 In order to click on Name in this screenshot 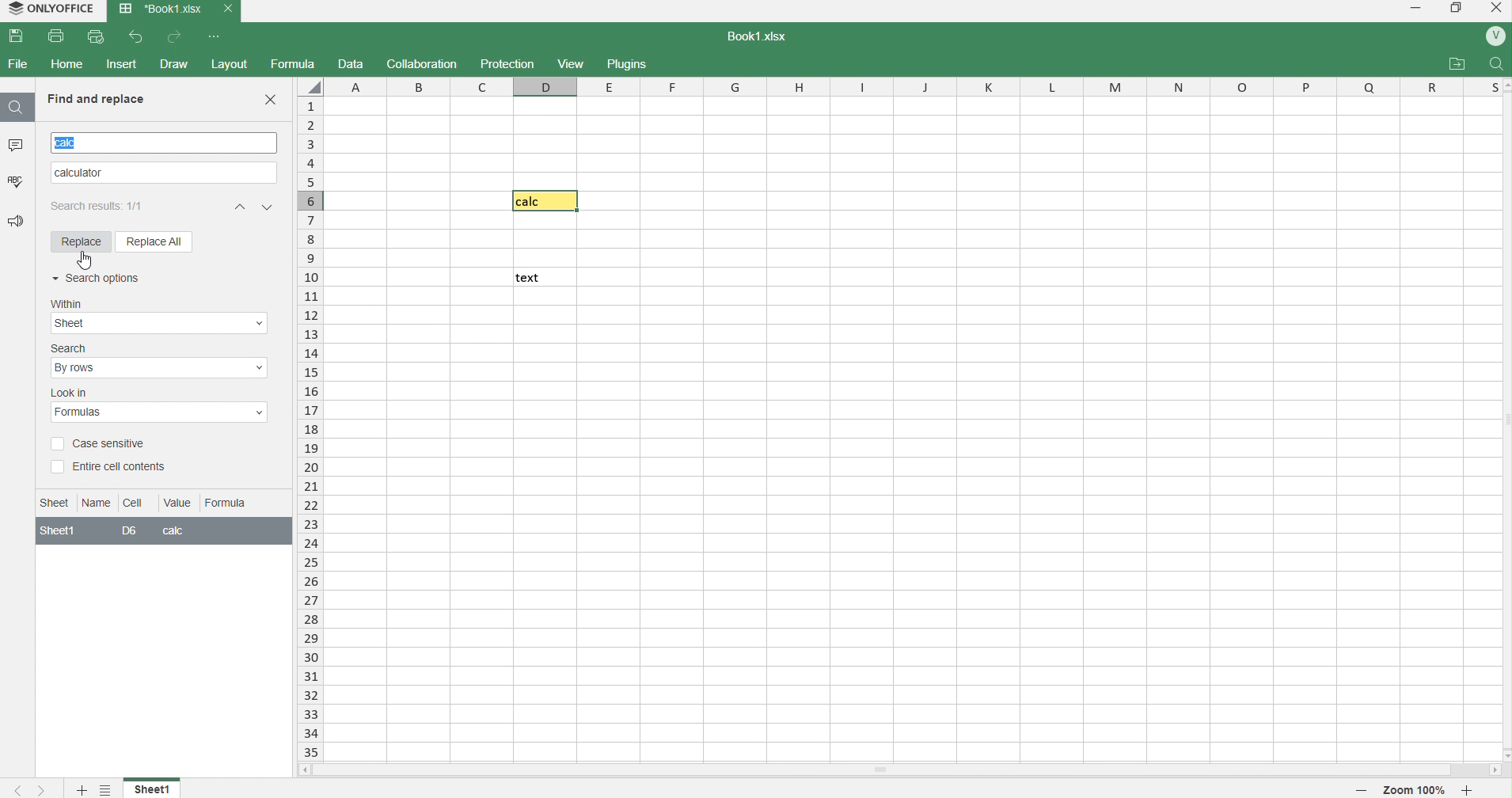, I will do `click(93, 502)`.